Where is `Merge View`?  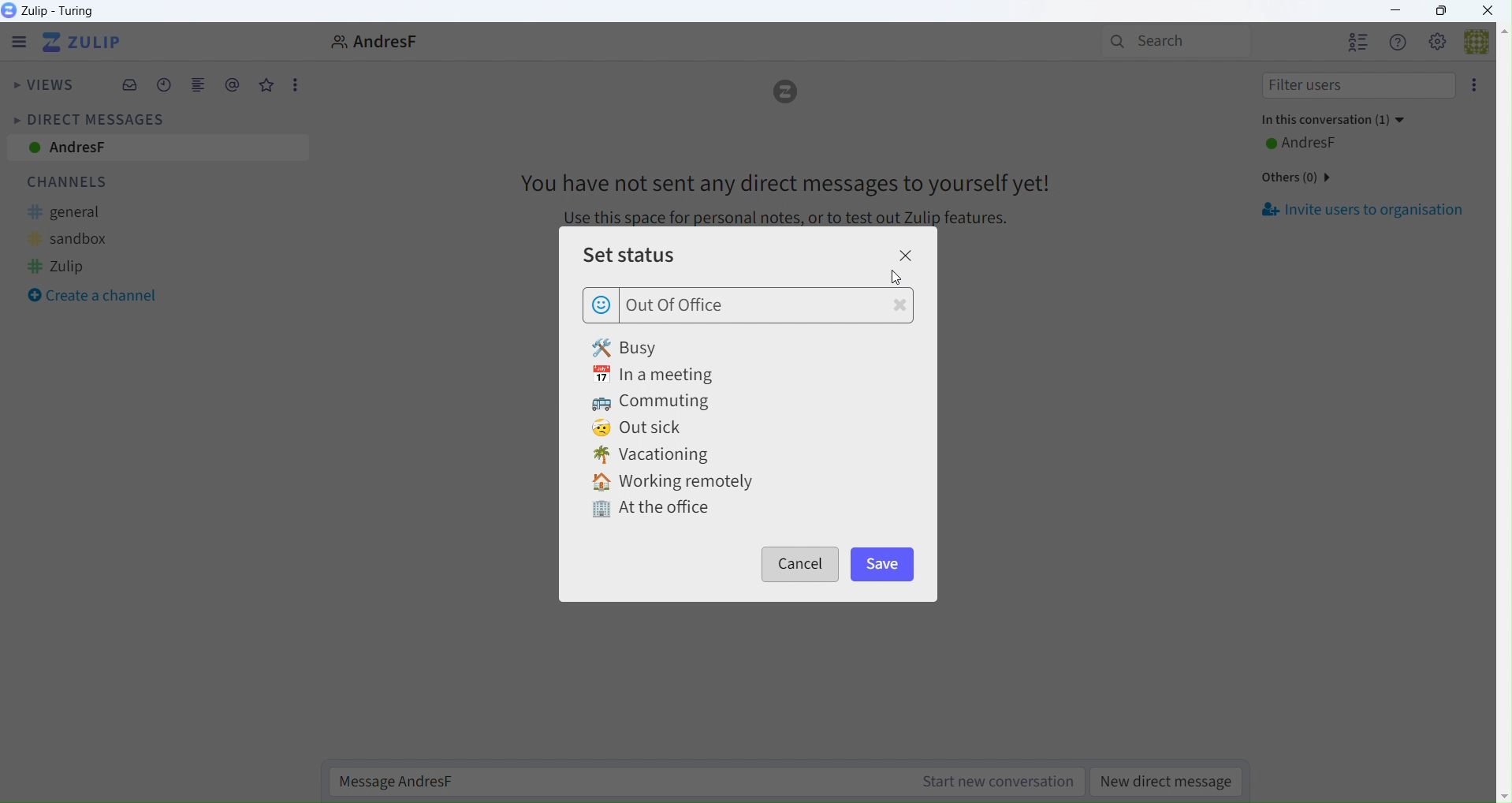
Merge View is located at coordinates (198, 88).